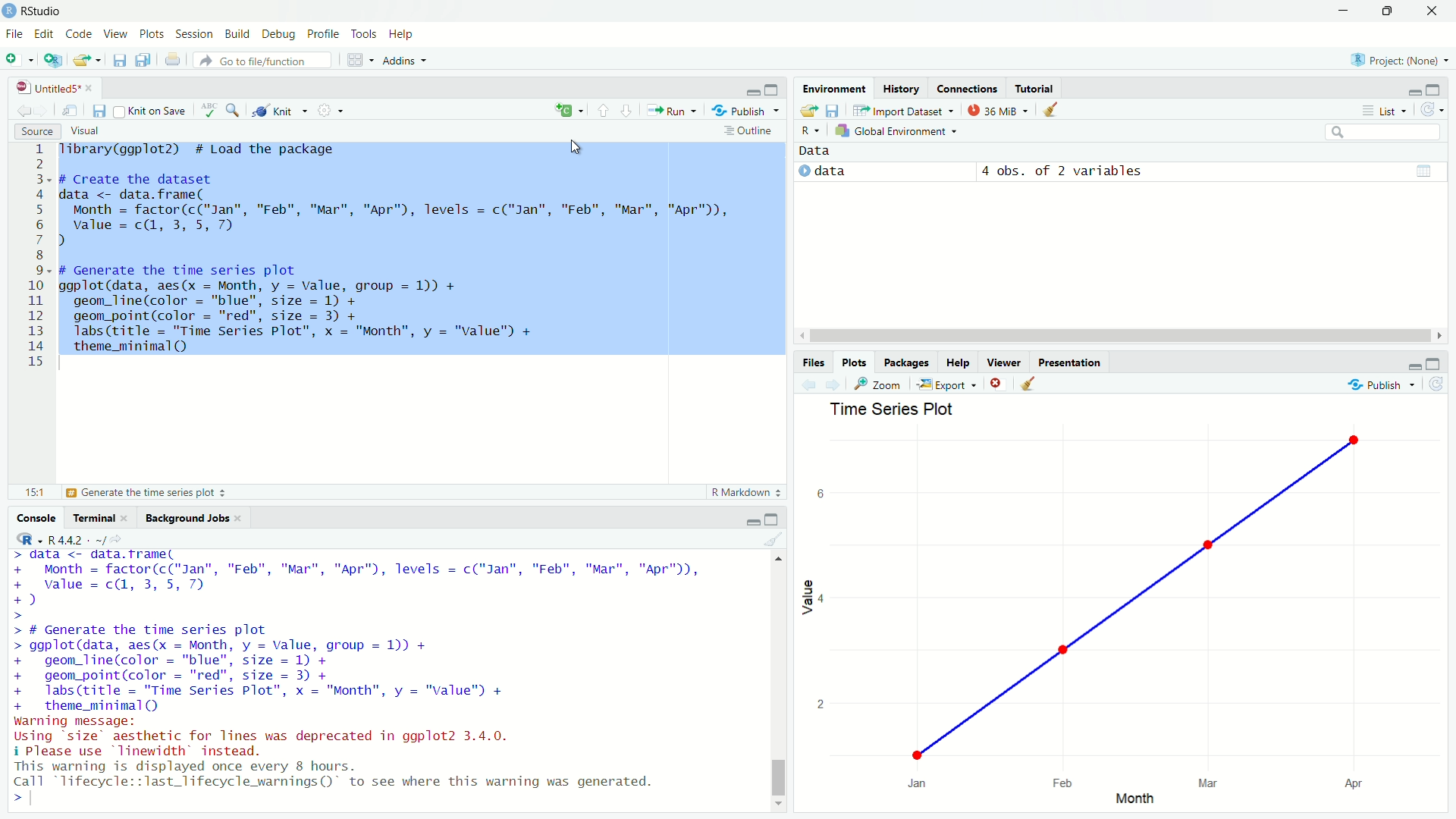 This screenshot has height=819, width=1456. I want to click on code to generate the time series plot, so click(302, 306).